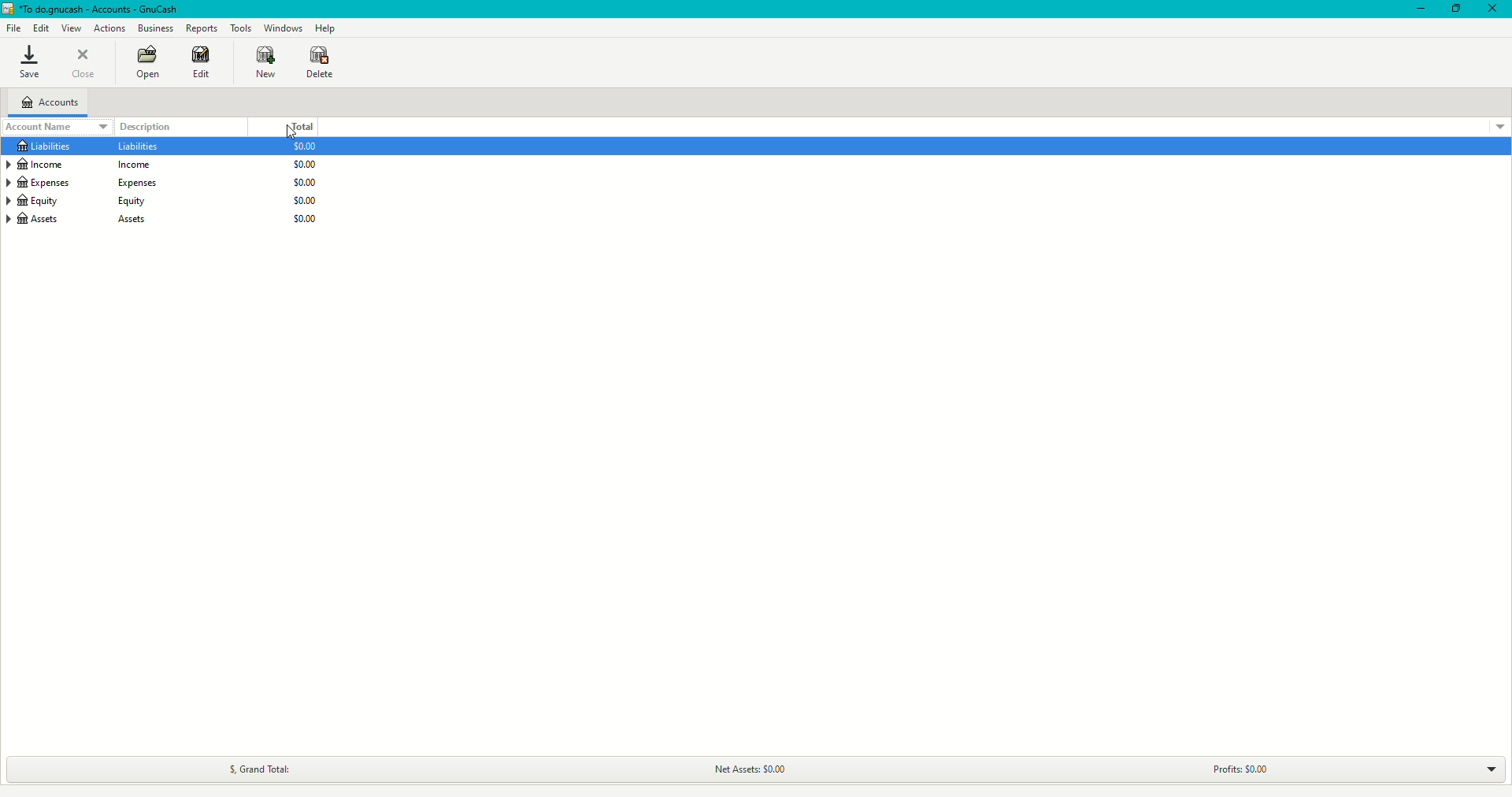 Image resolution: width=1512 pixels, height=797 pixels. What do you see at coordinates (33, 63) in the screenshot?
I see `Save` at bounding box center [33, 63].